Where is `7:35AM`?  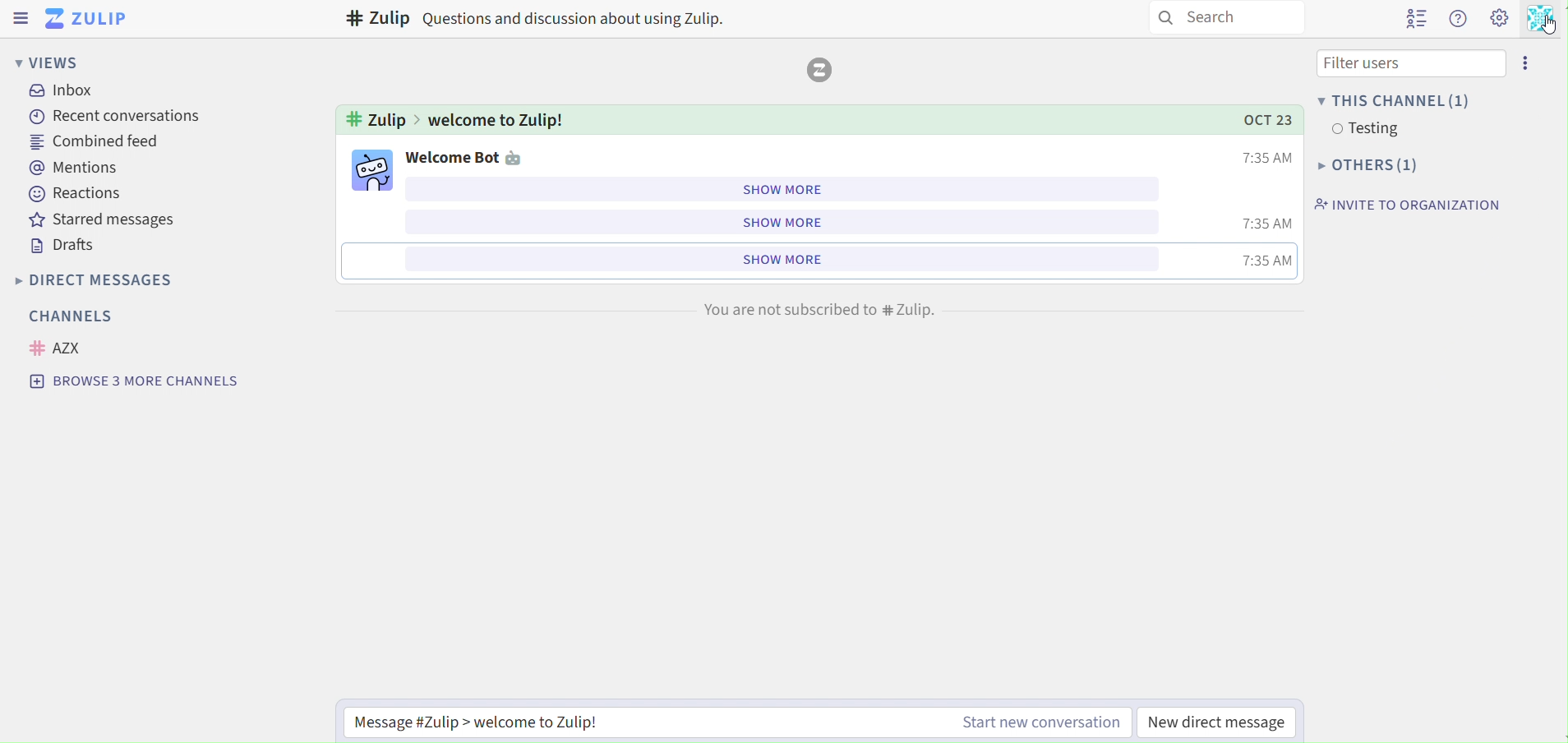
7:35AM is located at coordinates (1266, 260).